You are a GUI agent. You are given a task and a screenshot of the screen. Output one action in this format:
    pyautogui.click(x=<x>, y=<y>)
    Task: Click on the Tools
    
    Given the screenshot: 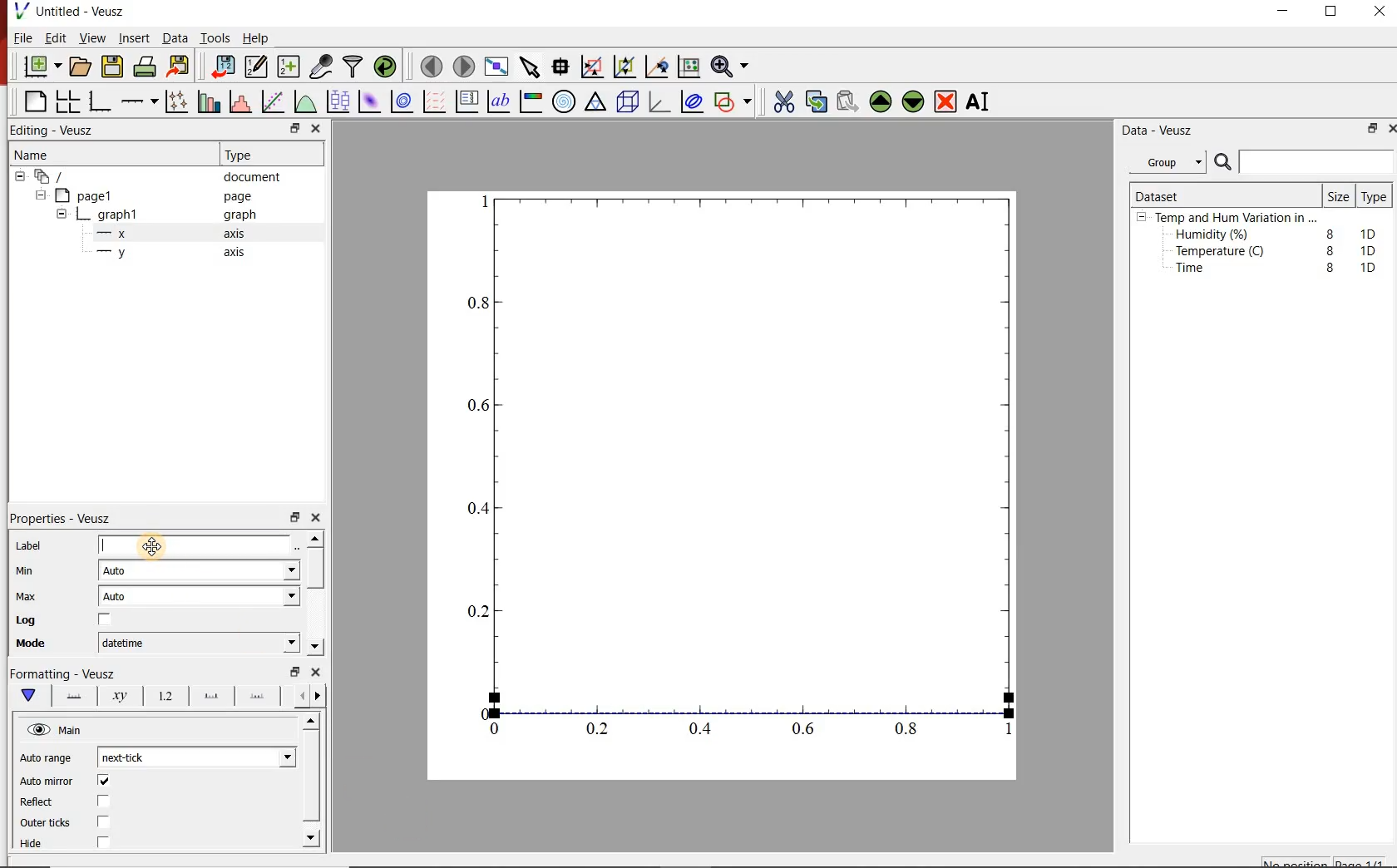 What is the action you would take?
    pyautogui.click(x=214, y=38)
    